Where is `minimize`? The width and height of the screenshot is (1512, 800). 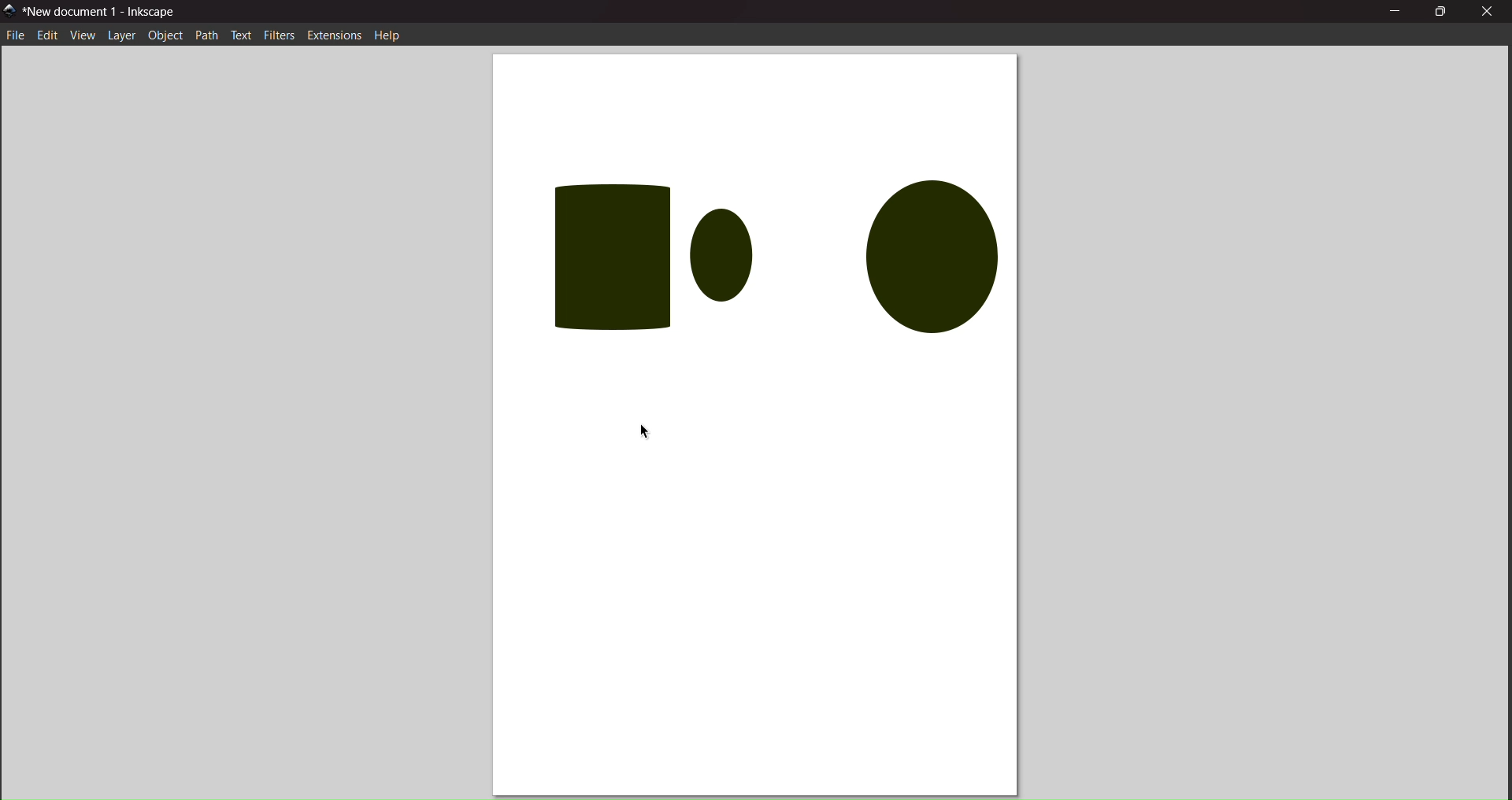 minimize is located at coordinates (1395, 13).